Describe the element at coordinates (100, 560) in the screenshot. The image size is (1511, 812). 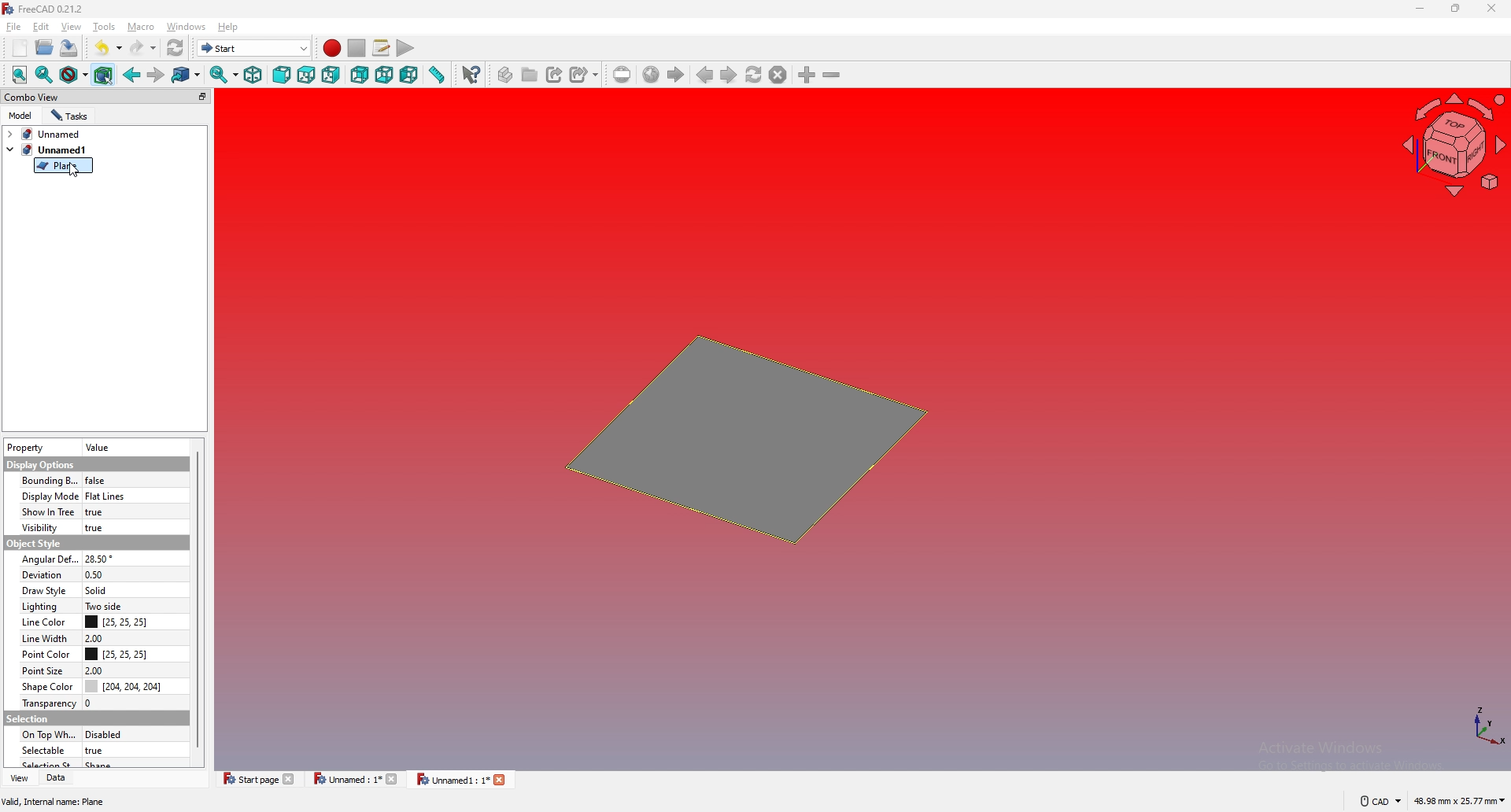
I see `28.50 degrees` at that location.